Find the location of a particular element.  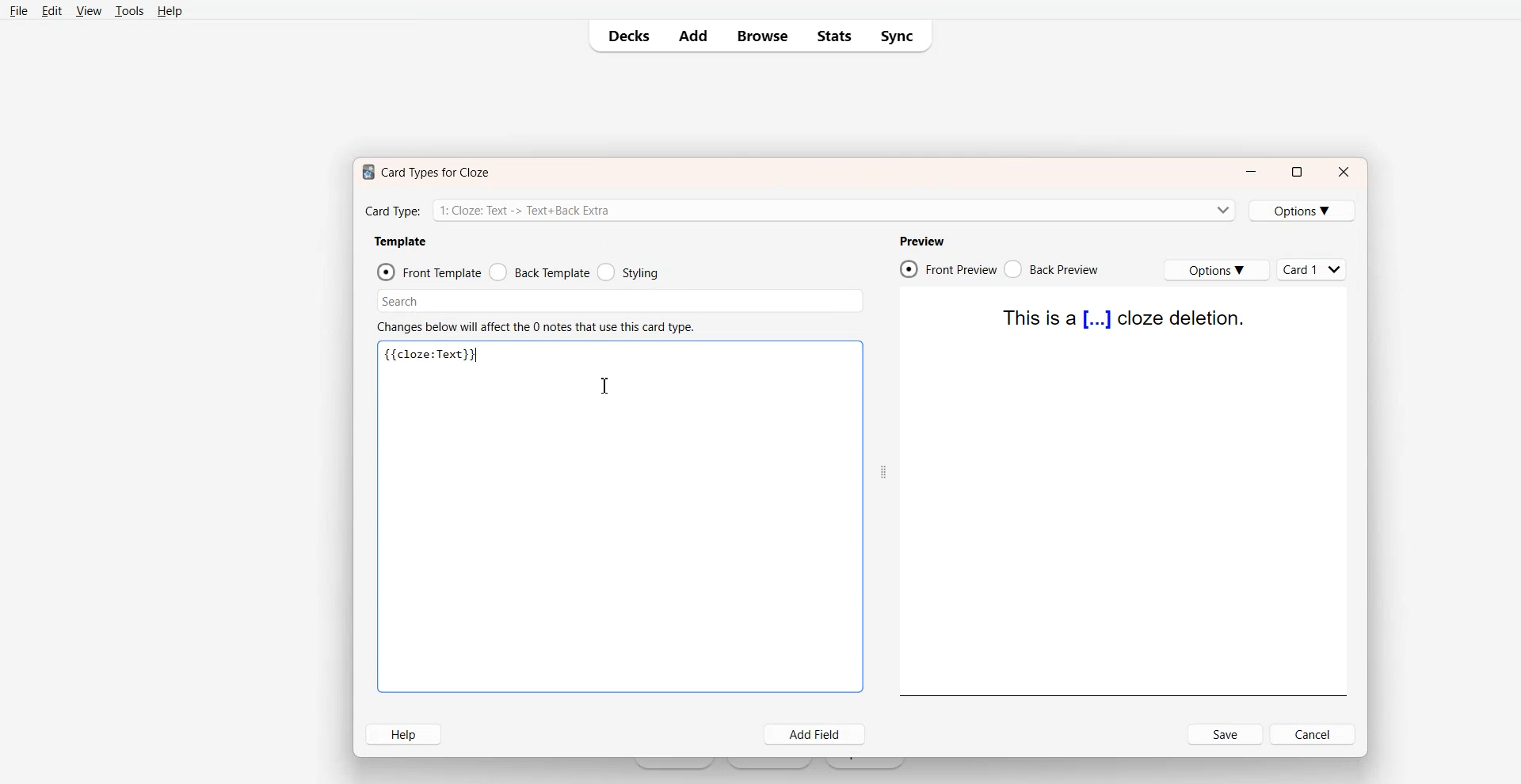

Sync is located at coordinates (900, 36).